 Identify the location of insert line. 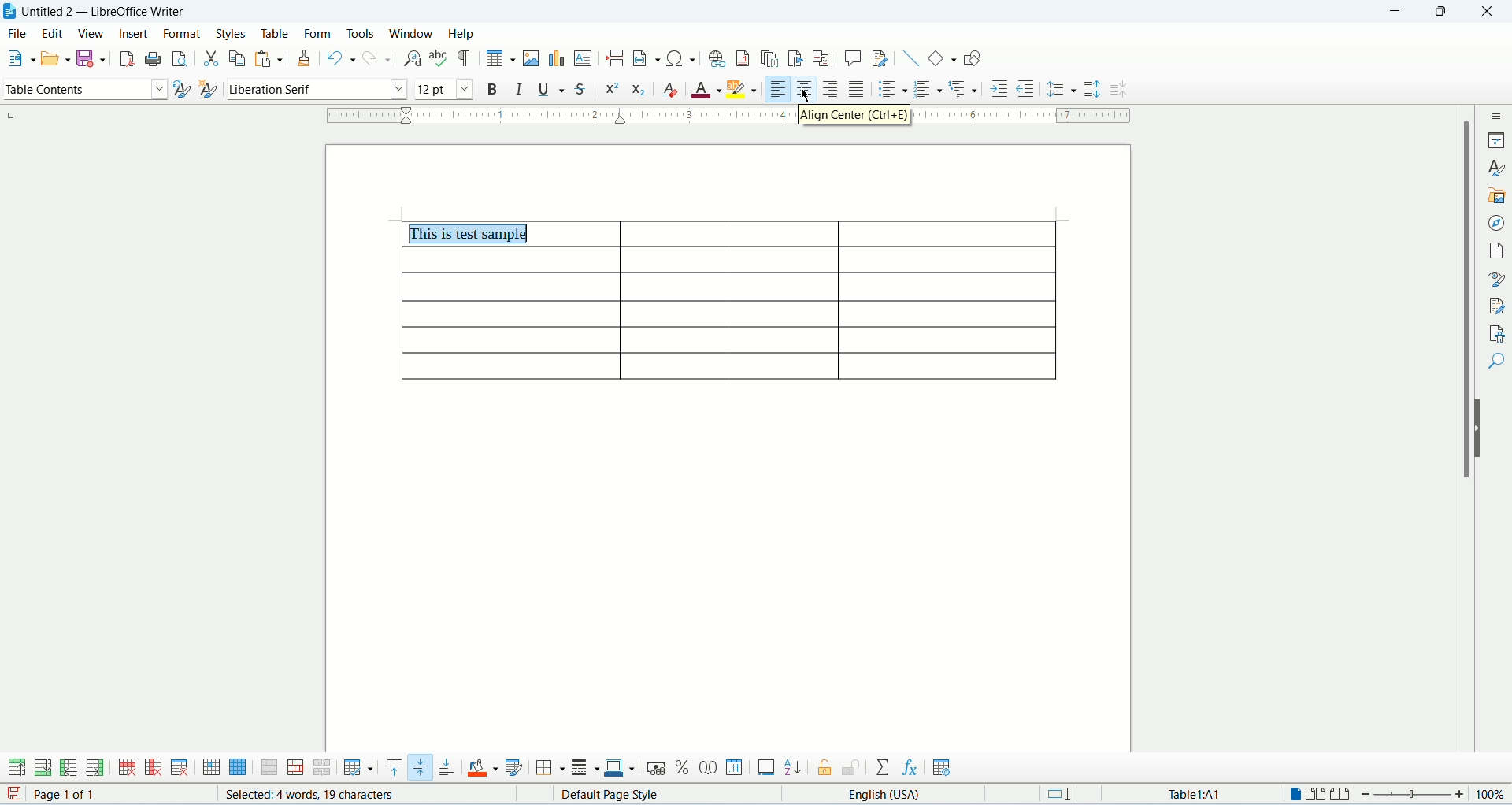
(912, 59).